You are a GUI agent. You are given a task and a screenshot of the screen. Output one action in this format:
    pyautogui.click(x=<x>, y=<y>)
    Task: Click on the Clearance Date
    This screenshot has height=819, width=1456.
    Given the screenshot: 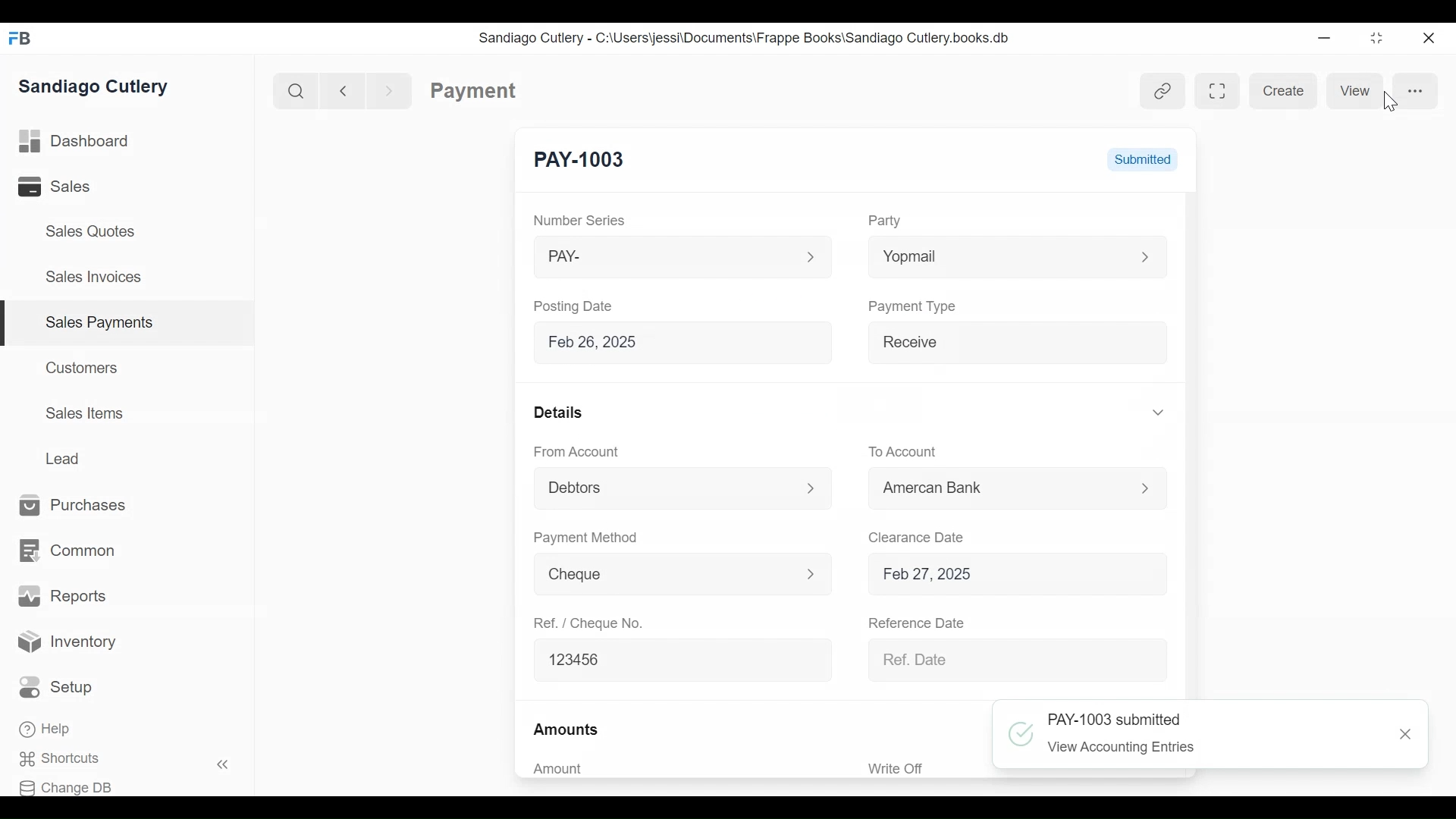 What is the action you would take?
    pyautogui.click(x=918, y=535)
    